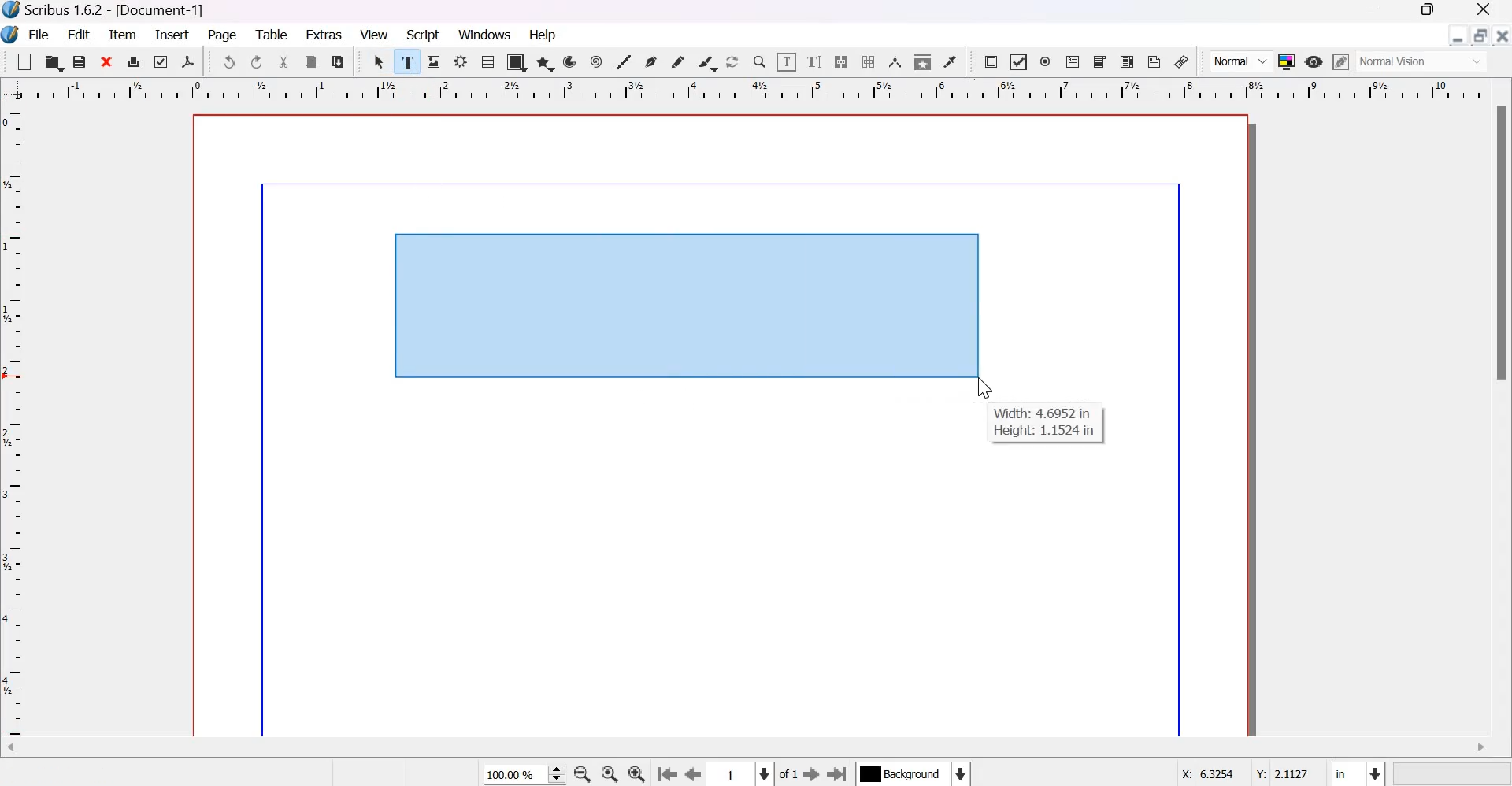  I want to click on Bezier curve, so click(650, 61).